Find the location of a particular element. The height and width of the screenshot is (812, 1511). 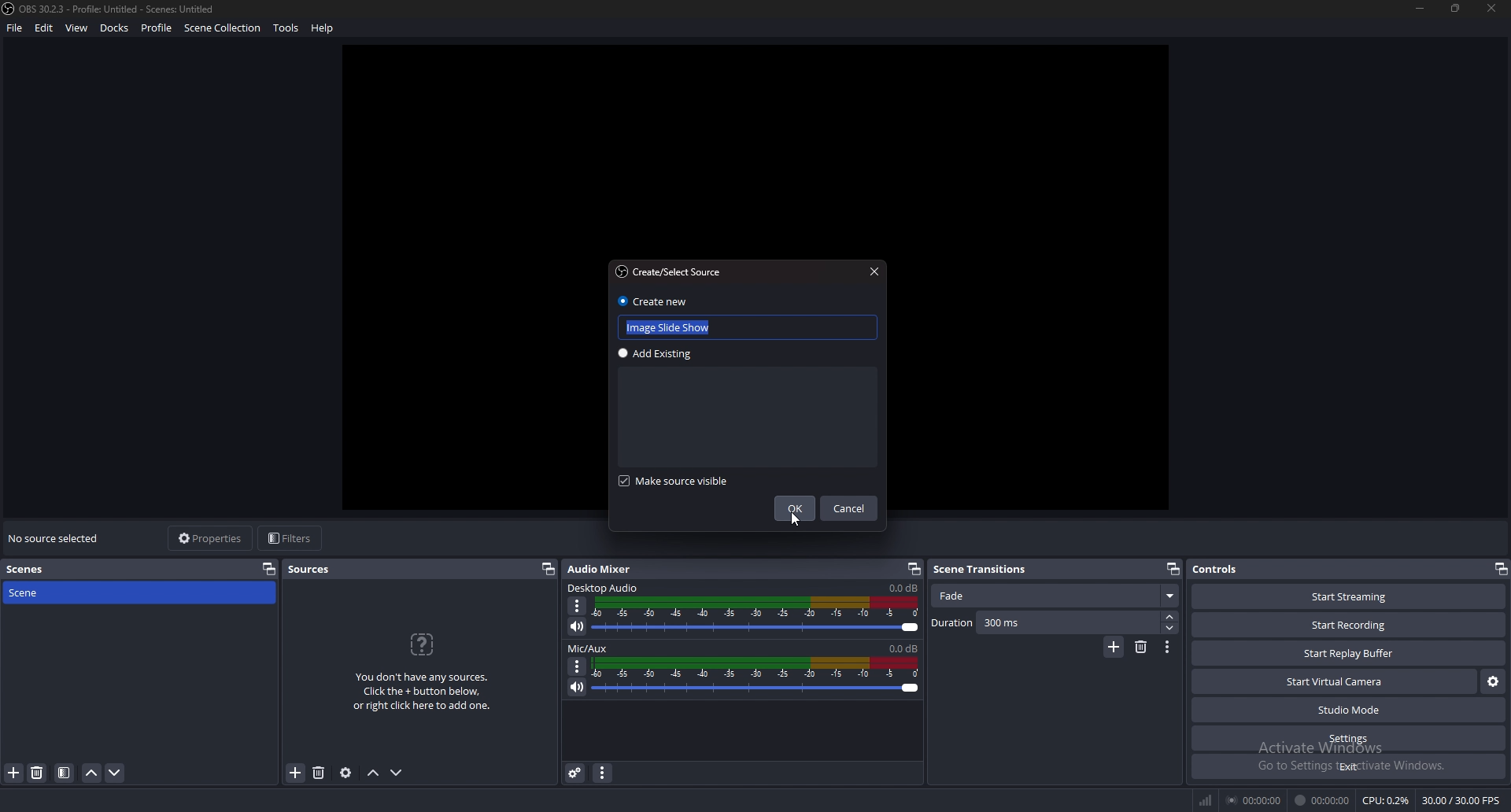

studio mode is located at coordinates (1347, 710).